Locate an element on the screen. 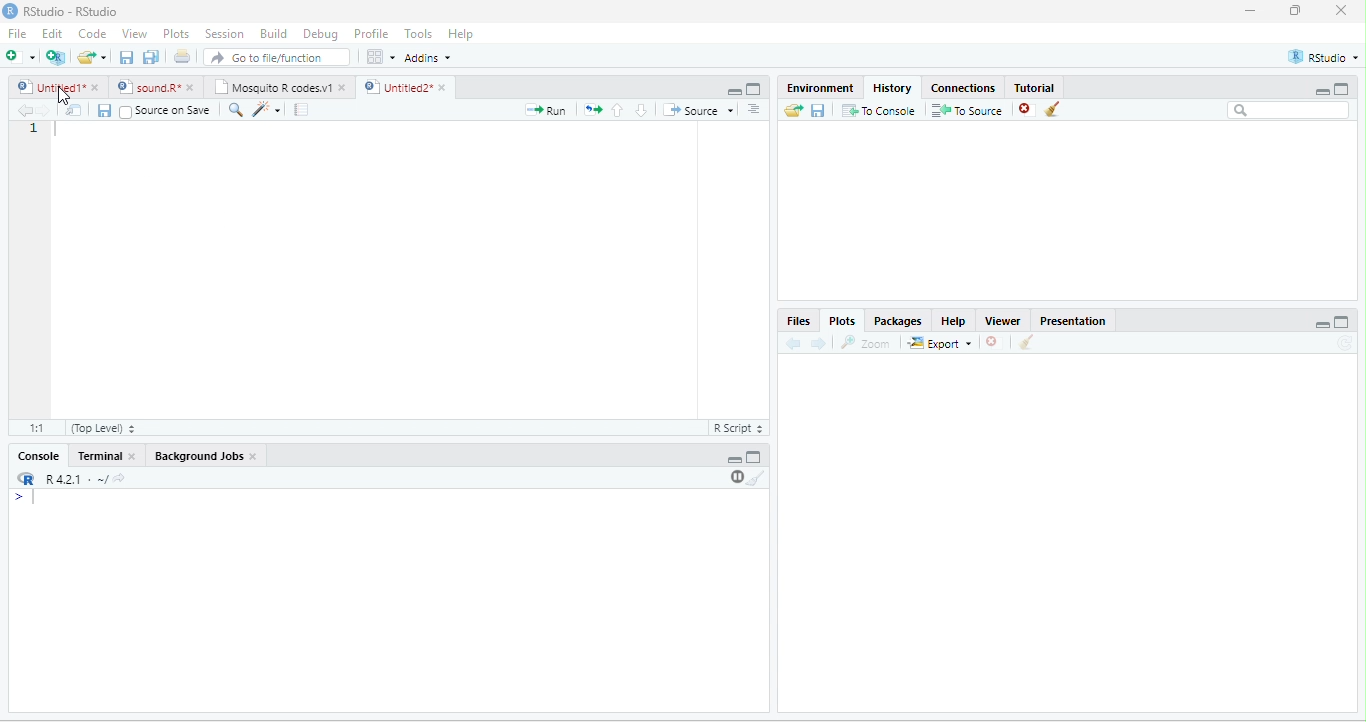 This screenshot has height=722, width=1366. options is located at coordinates (381, 57).